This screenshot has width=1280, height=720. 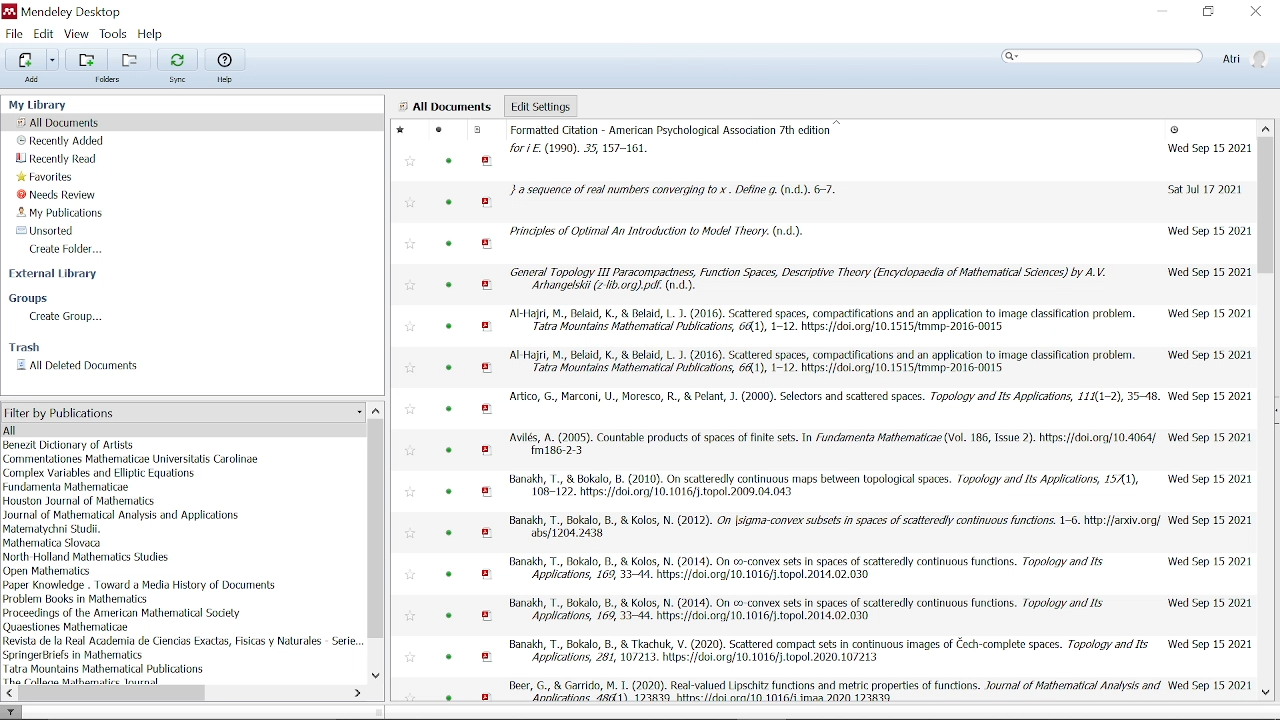 What do you see at coordinates (678, 140) in the screenshot?
I see `citation` at bounding box center [678, 140].